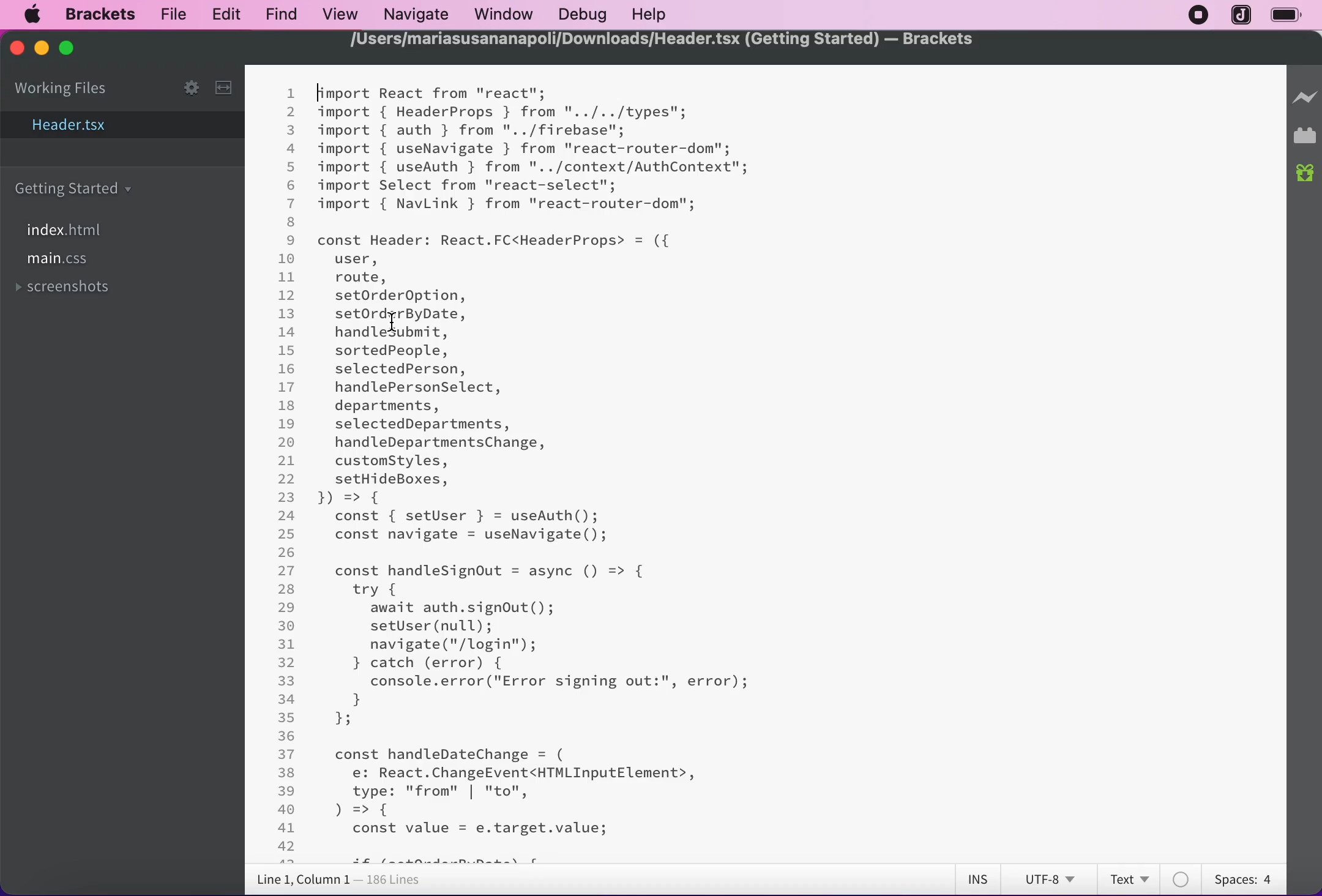 The width and height of the screenshot is (1322, 896). What do you see at coordinates (40, 47) in the screenshot?
I see `minimize` at bounding box center [40, 47].